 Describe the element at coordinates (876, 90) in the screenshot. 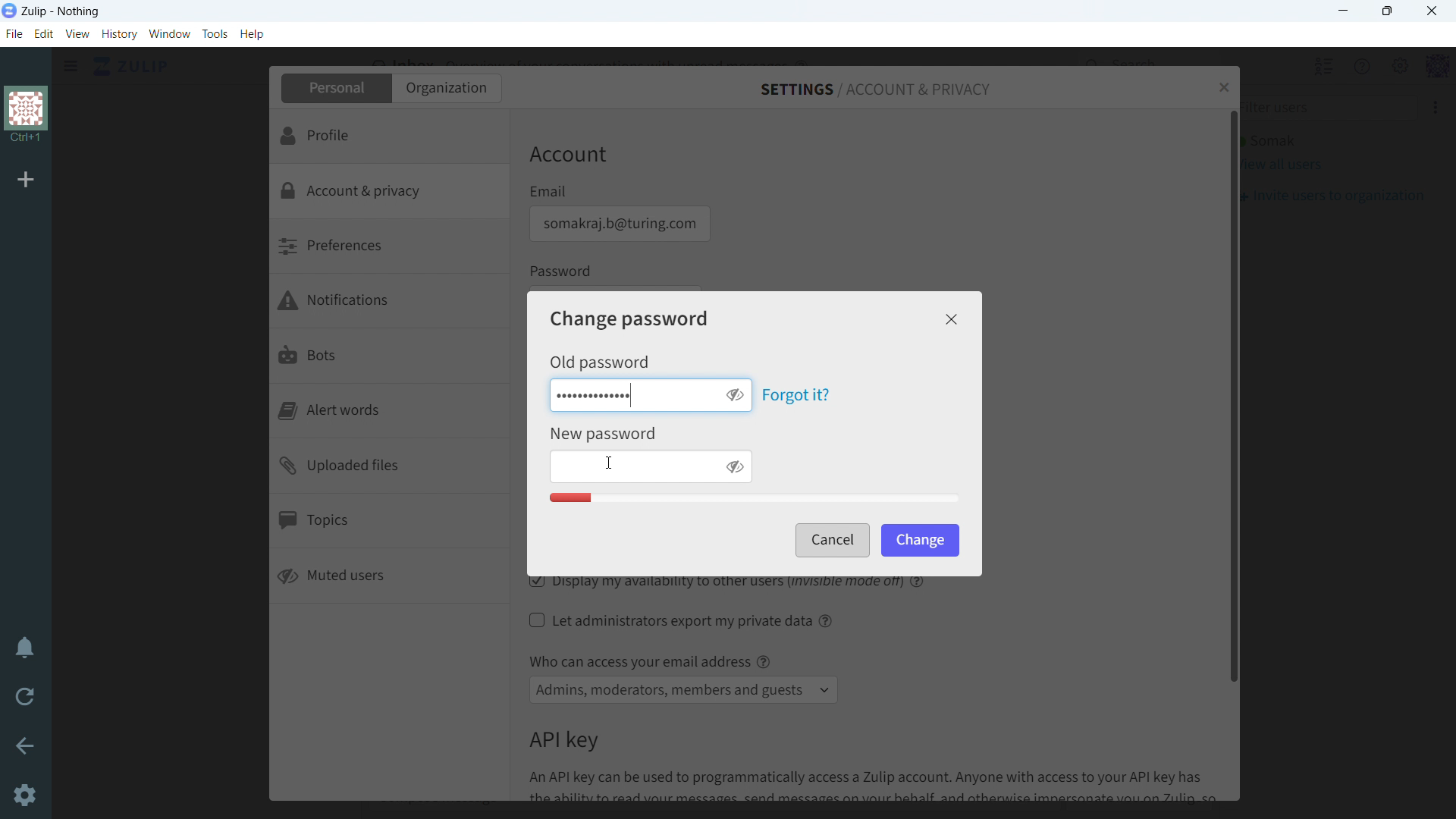

I see `settings/account & privacy` at that location.